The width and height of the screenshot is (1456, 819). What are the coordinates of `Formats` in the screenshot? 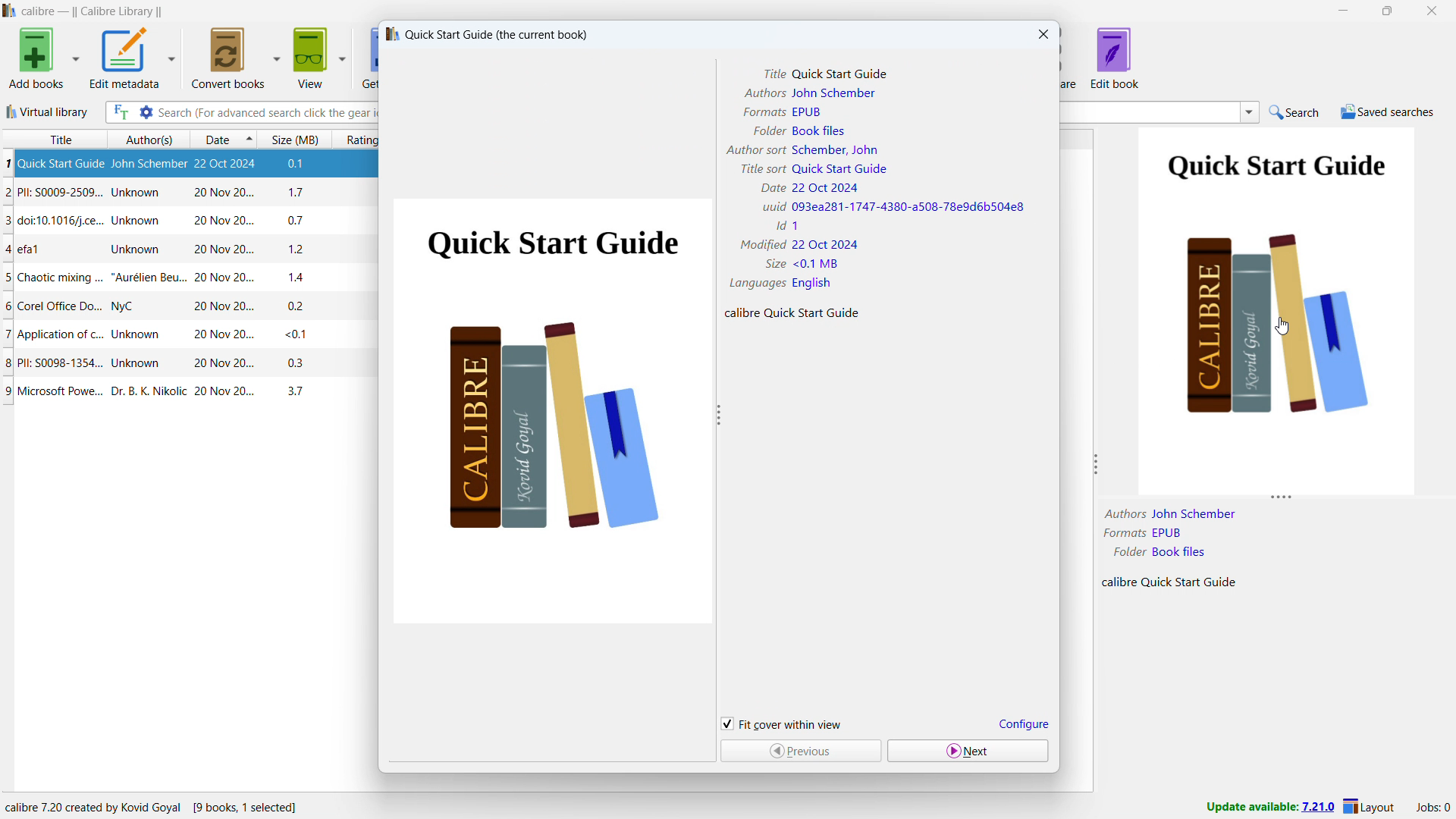 It's located at (763, 111).